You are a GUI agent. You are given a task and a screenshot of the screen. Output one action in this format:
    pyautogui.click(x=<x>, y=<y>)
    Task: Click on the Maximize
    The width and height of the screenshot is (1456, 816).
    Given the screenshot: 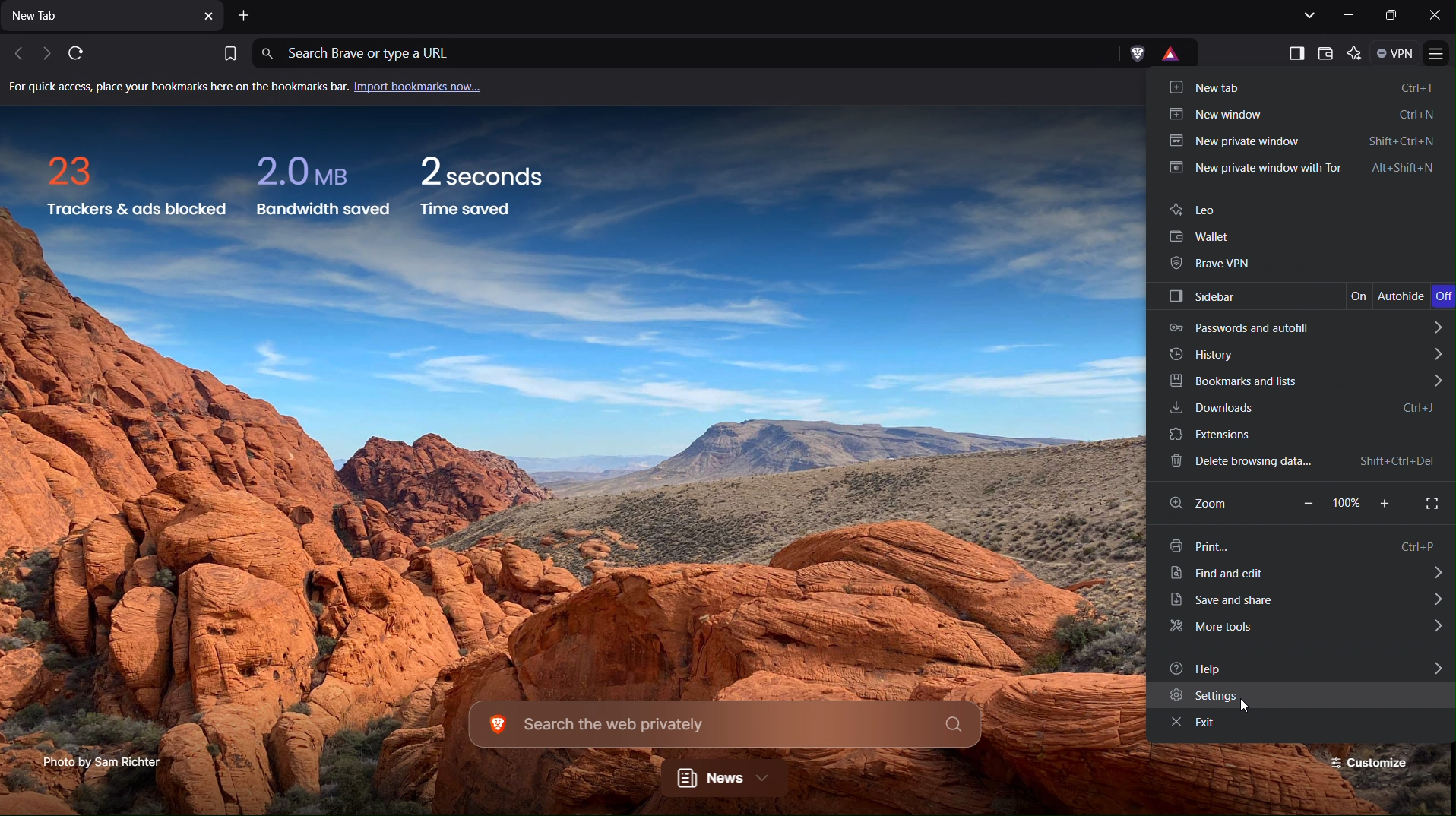 What is the action you would take?
    pyautogui.click(x=1392, y=15)
    